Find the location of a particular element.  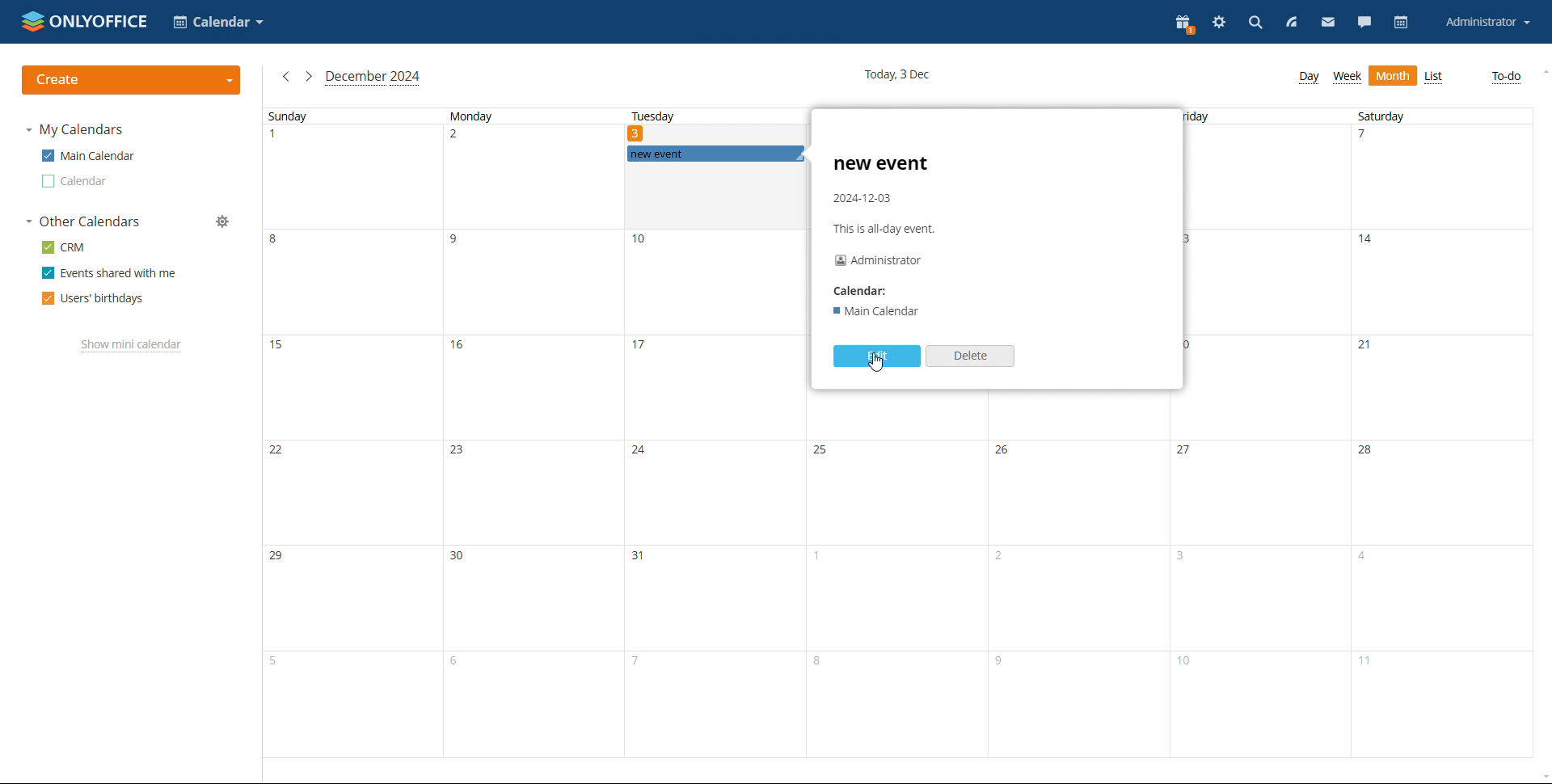

select application is located at coordinates (218, 22).